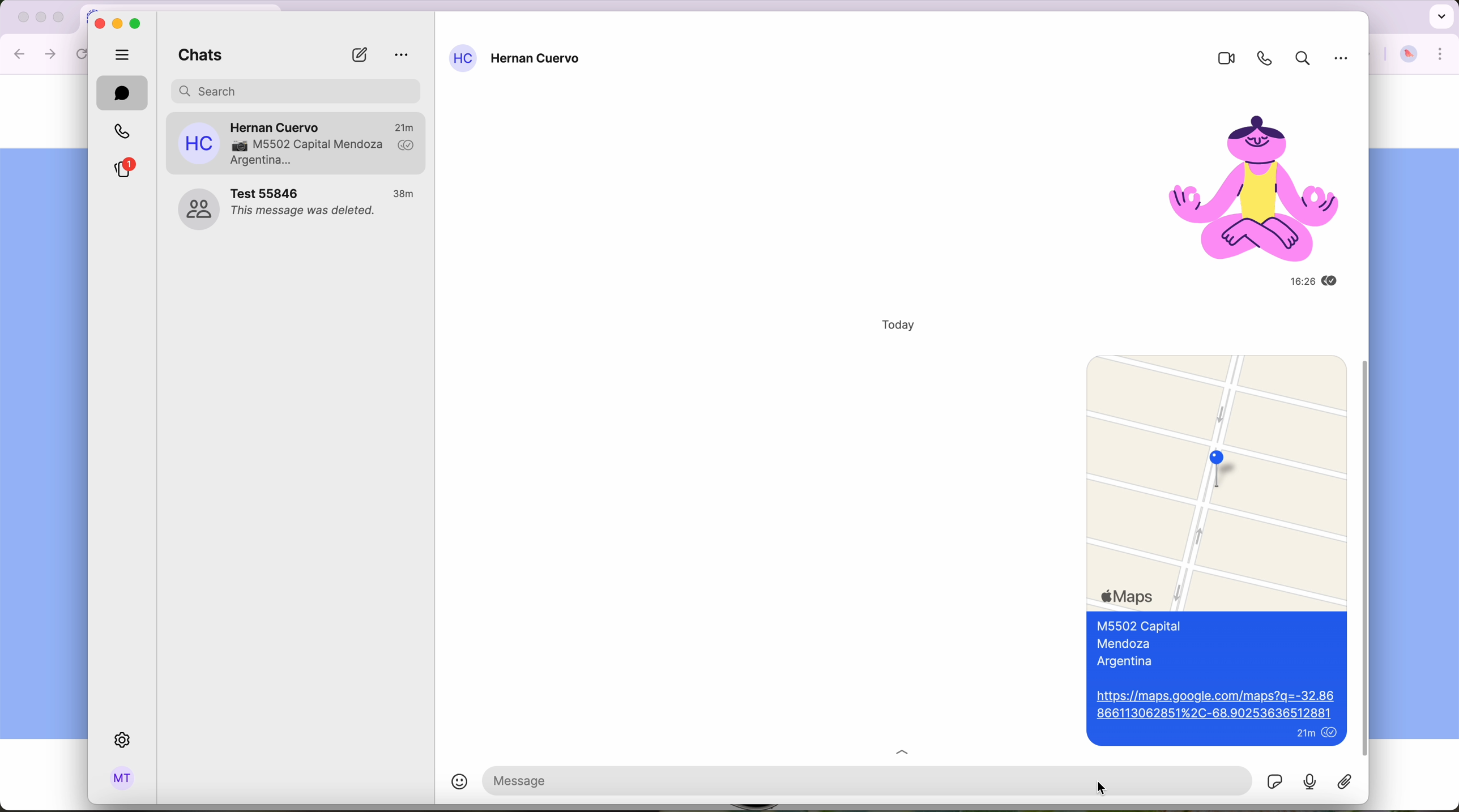  What do you see at coordinates (120, 132) in the screenshot?
I see `calls` at bounding box center [120, 132].